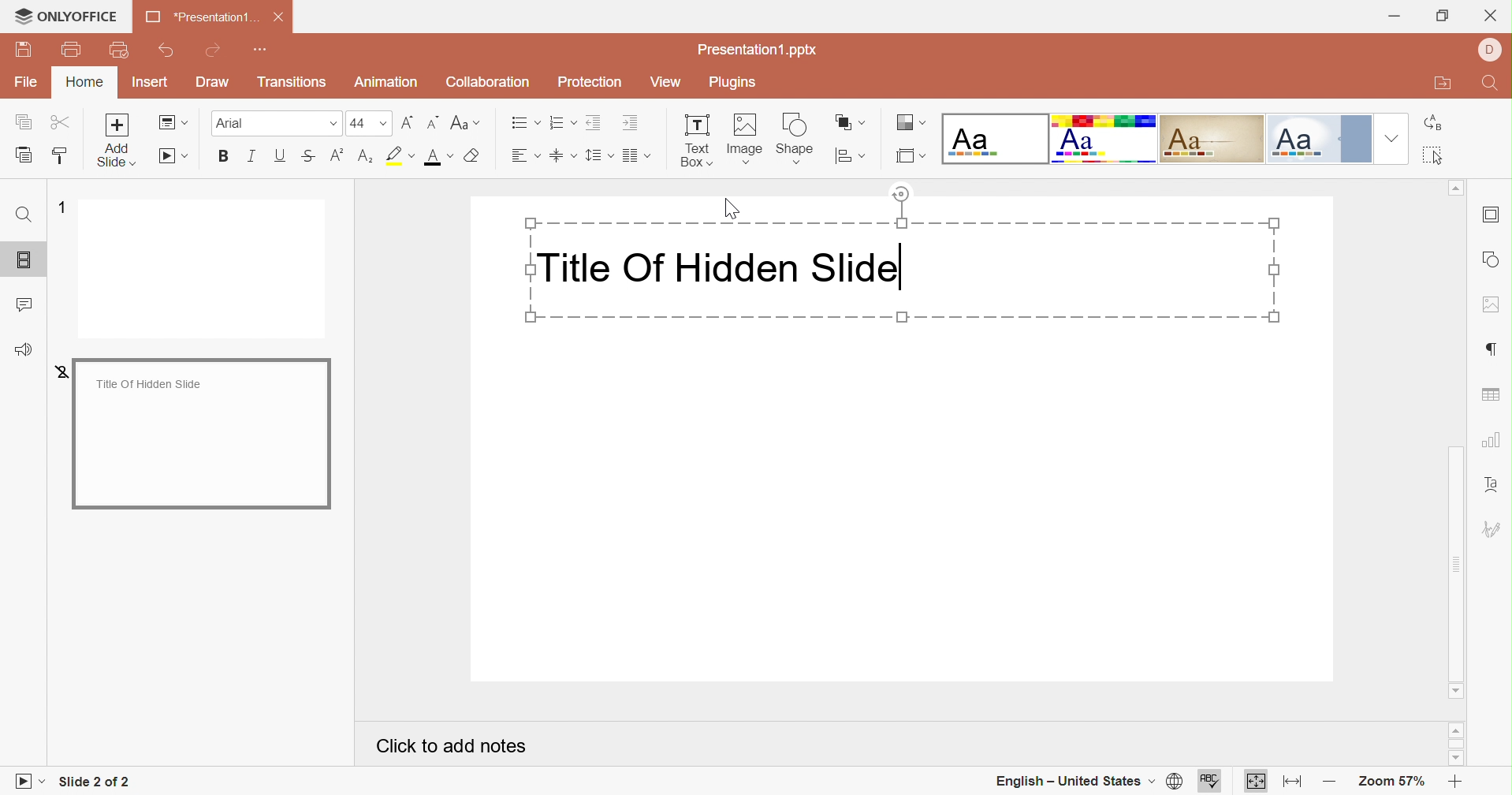  I want to click on Decrement font size, so click(432, 121).